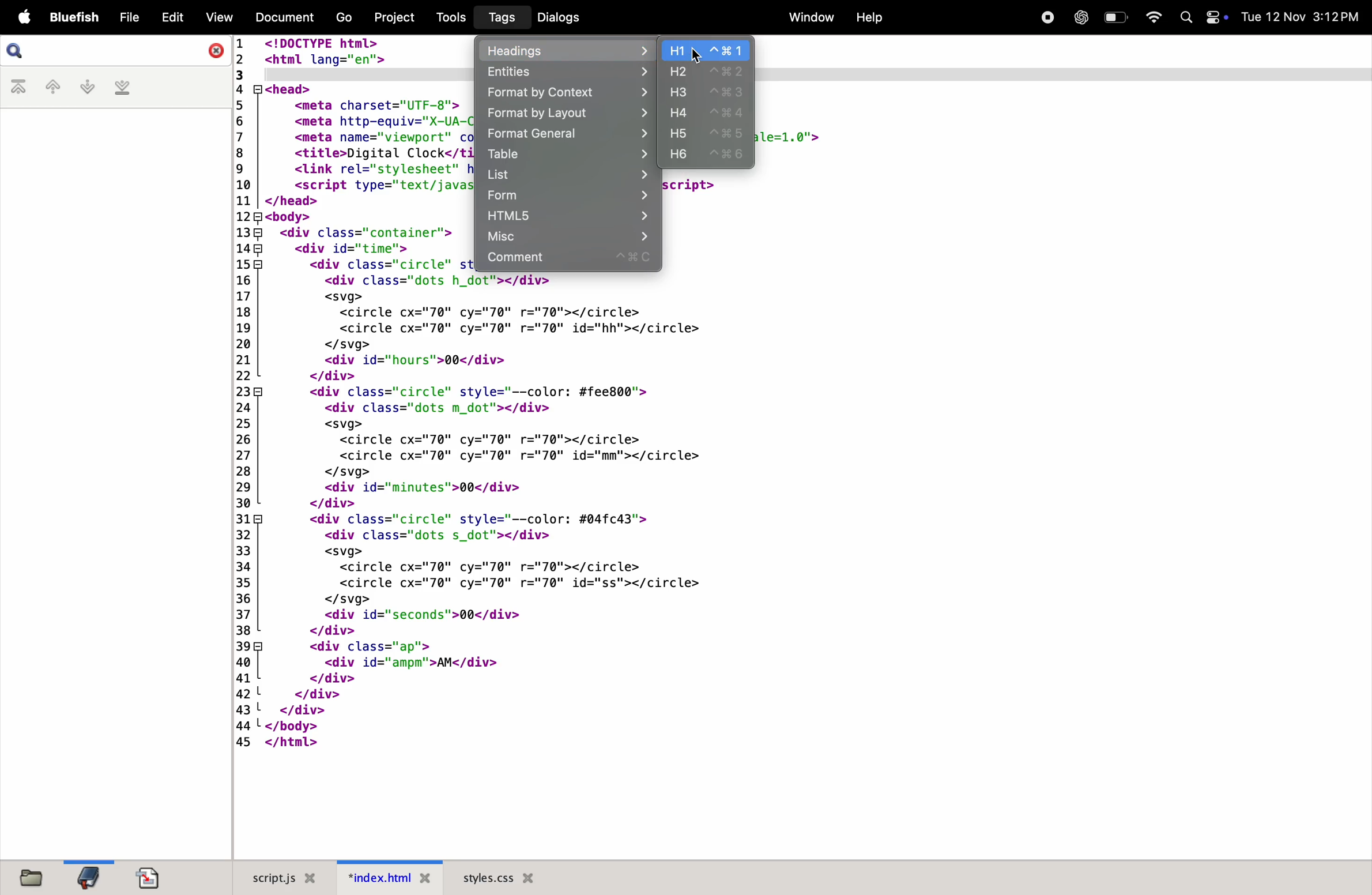  What do you see at coordinates (1115, 17) in the screenshot?
I see `battery` at bounding box center [1115, 17].